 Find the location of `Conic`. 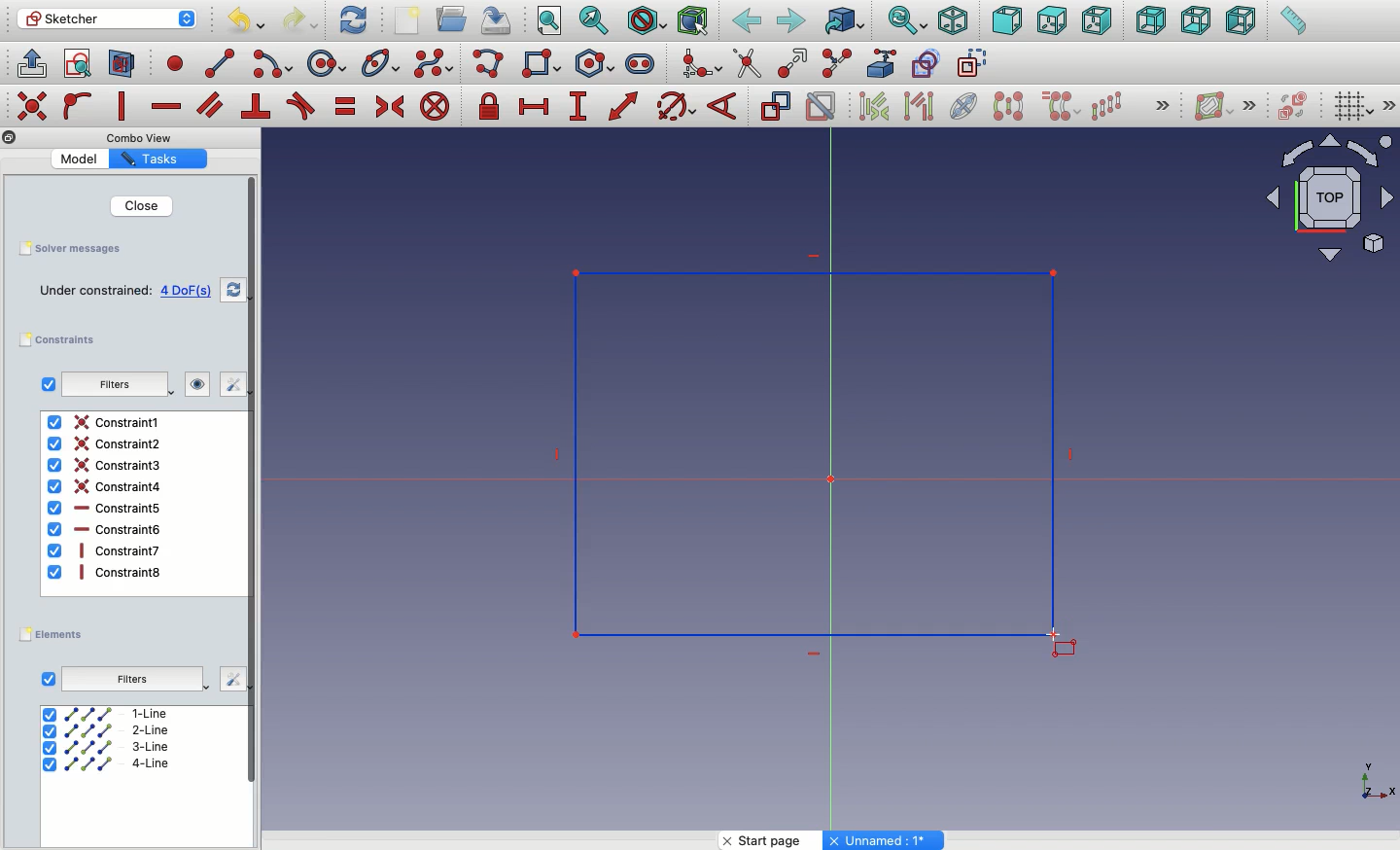

Conic is located at coordinates (382, 64).